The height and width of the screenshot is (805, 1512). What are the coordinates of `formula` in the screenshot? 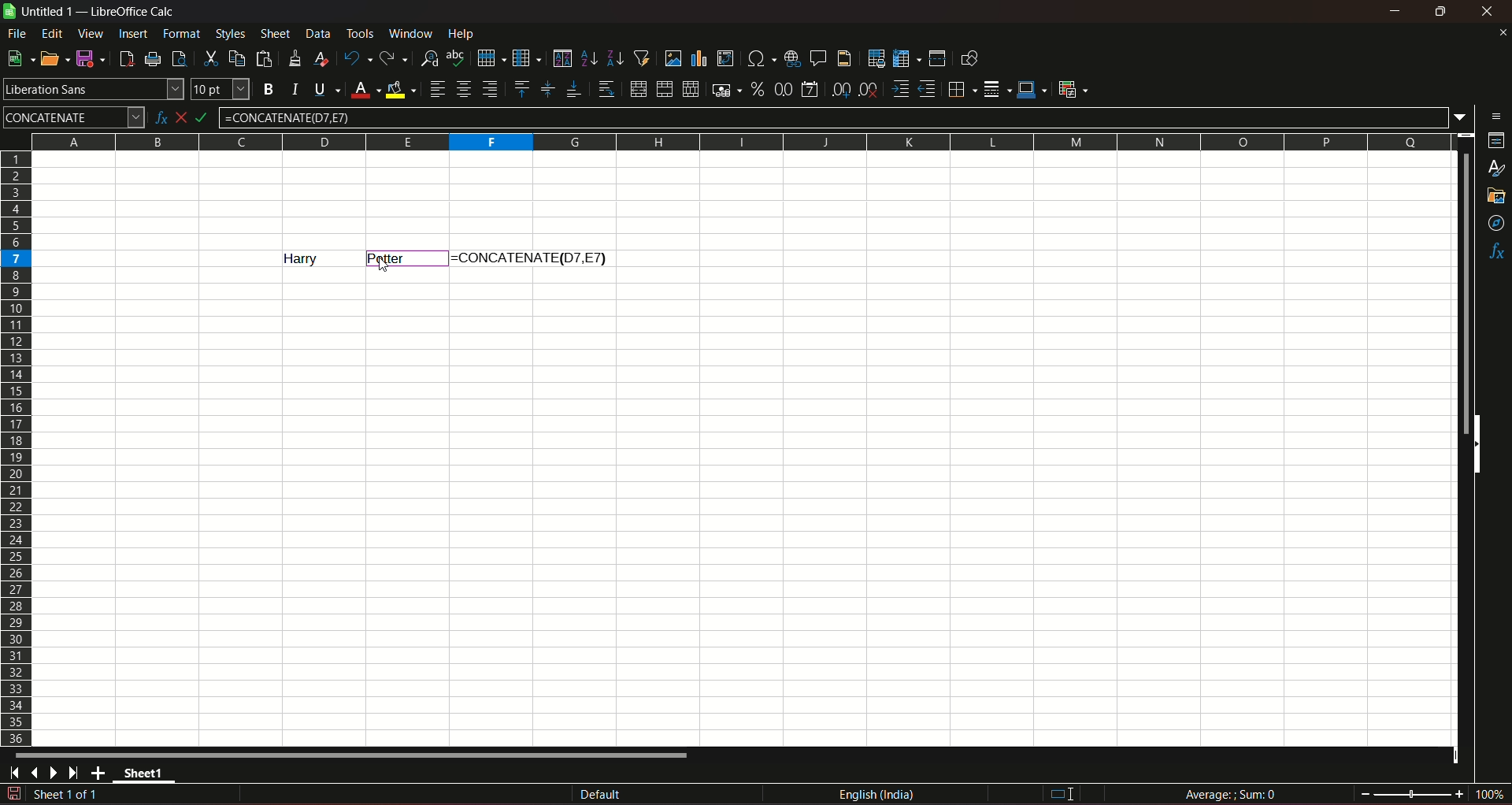 It's located at (1233, 794).